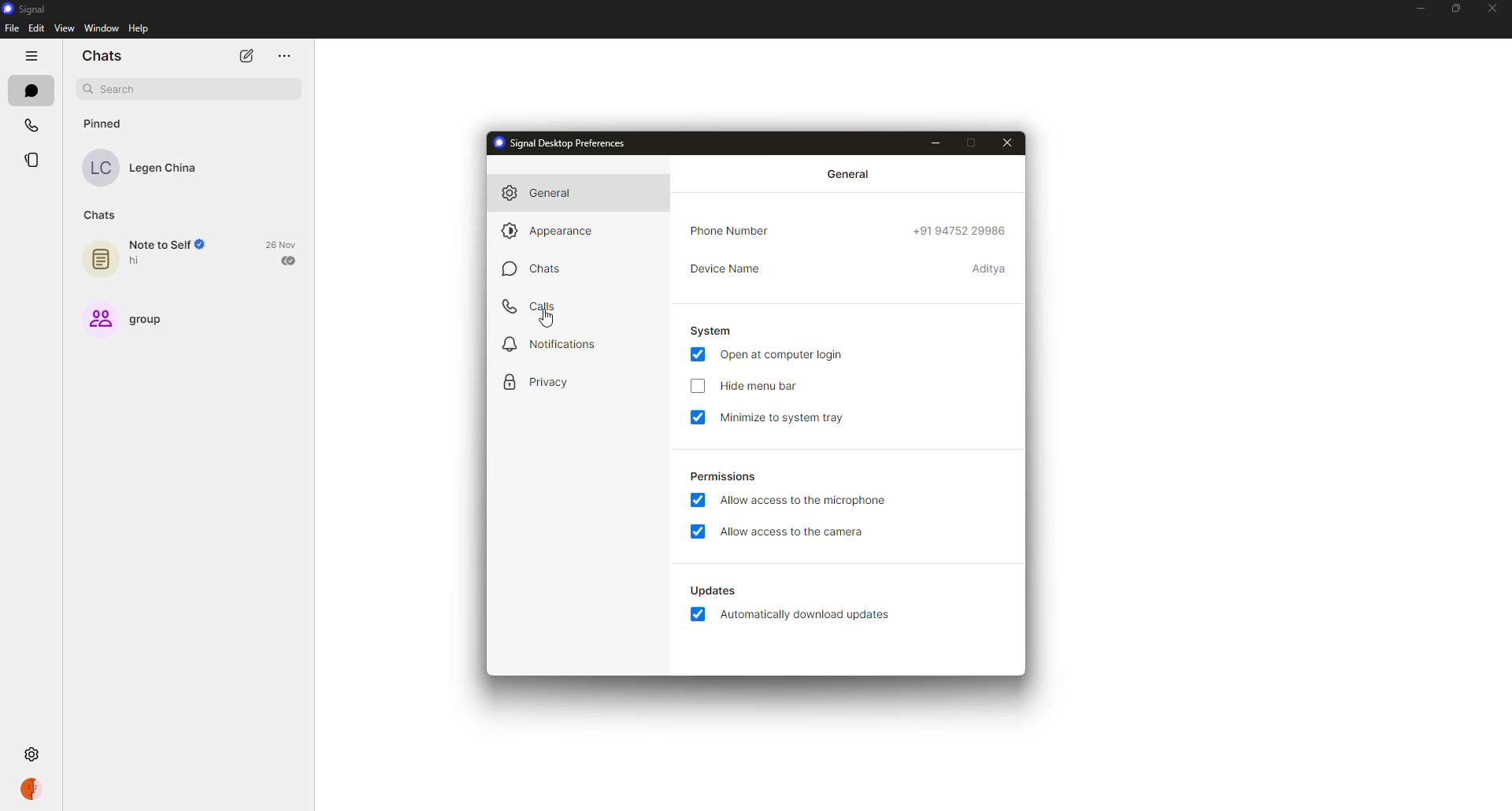 This screenshot has height=811, width=1512. Describe the element at coordinates (975, 142) in the screenshot. I see `maximize` at that location.